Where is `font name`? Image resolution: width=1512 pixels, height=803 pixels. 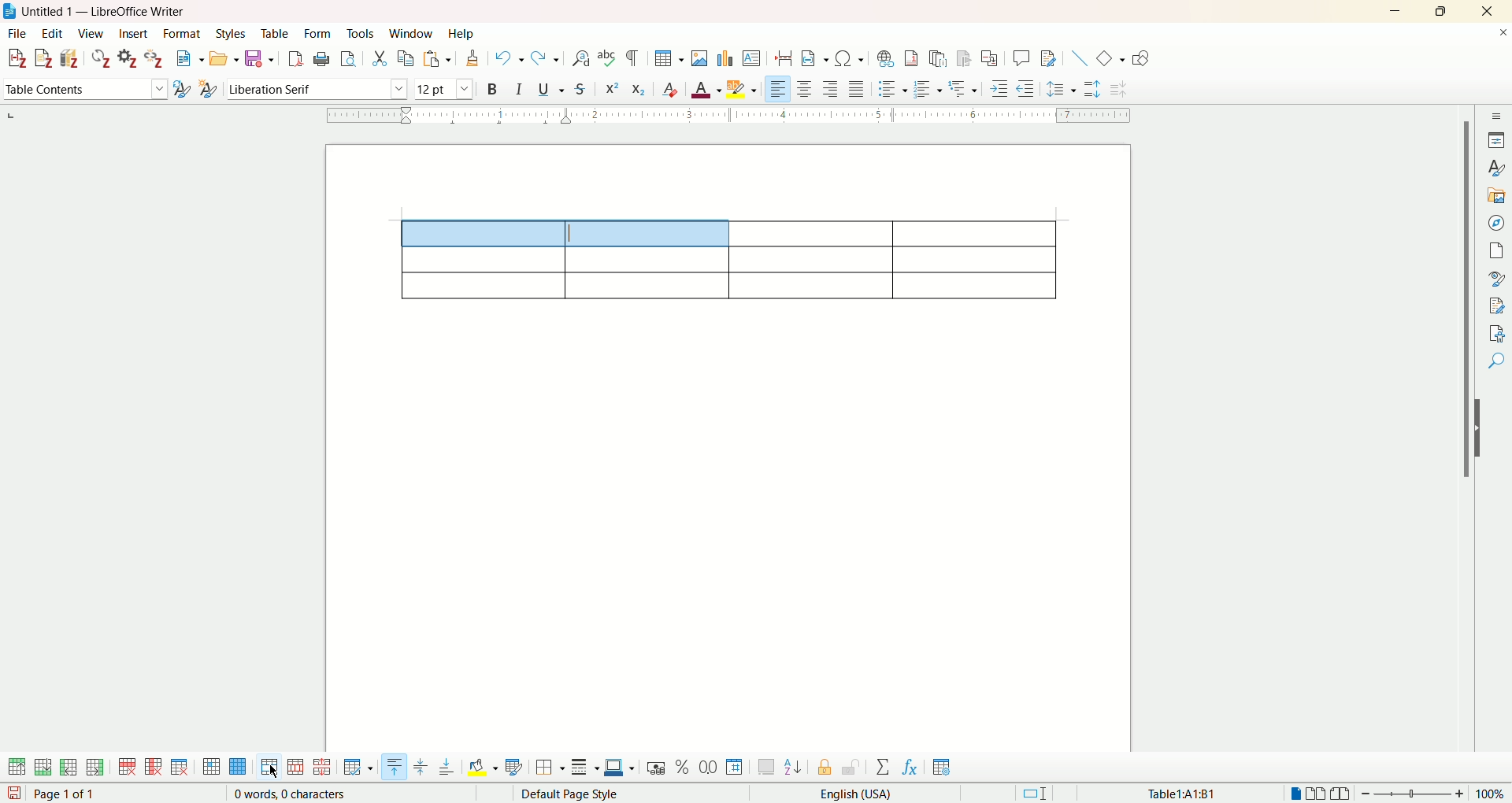 font name is located at coordinates (313, 89).